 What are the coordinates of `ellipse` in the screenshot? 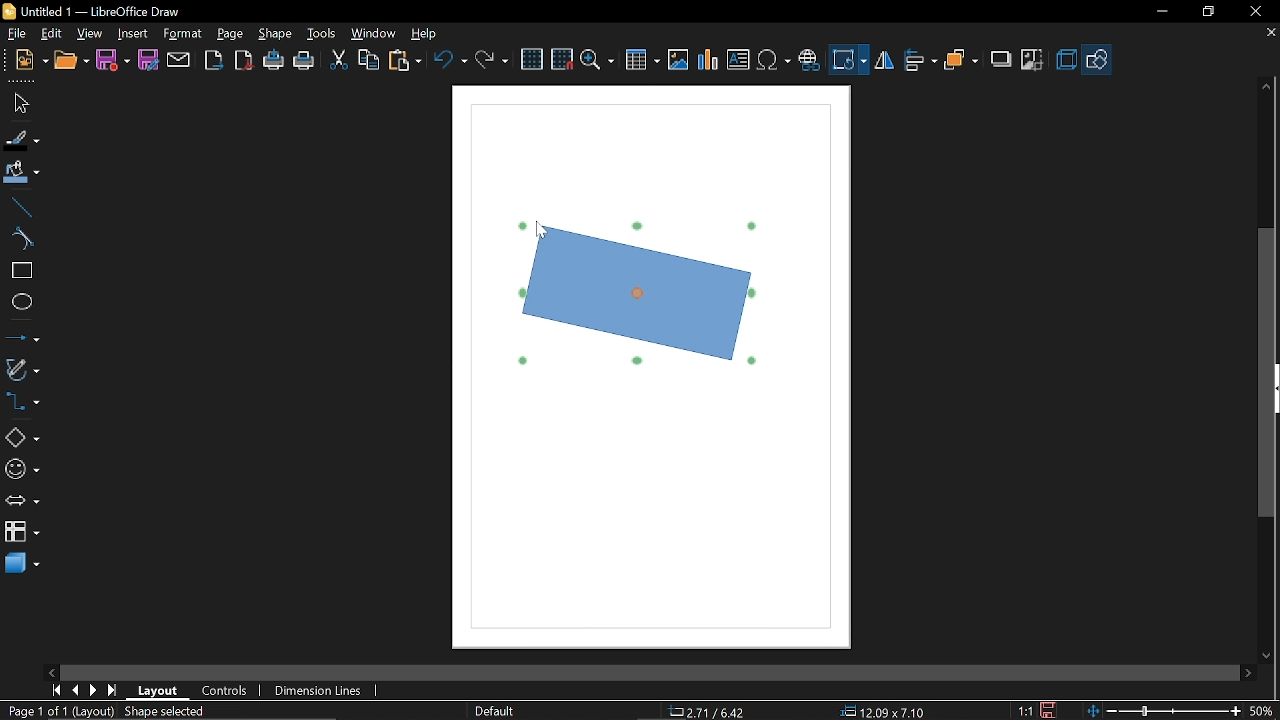 It's located at (21, 304).